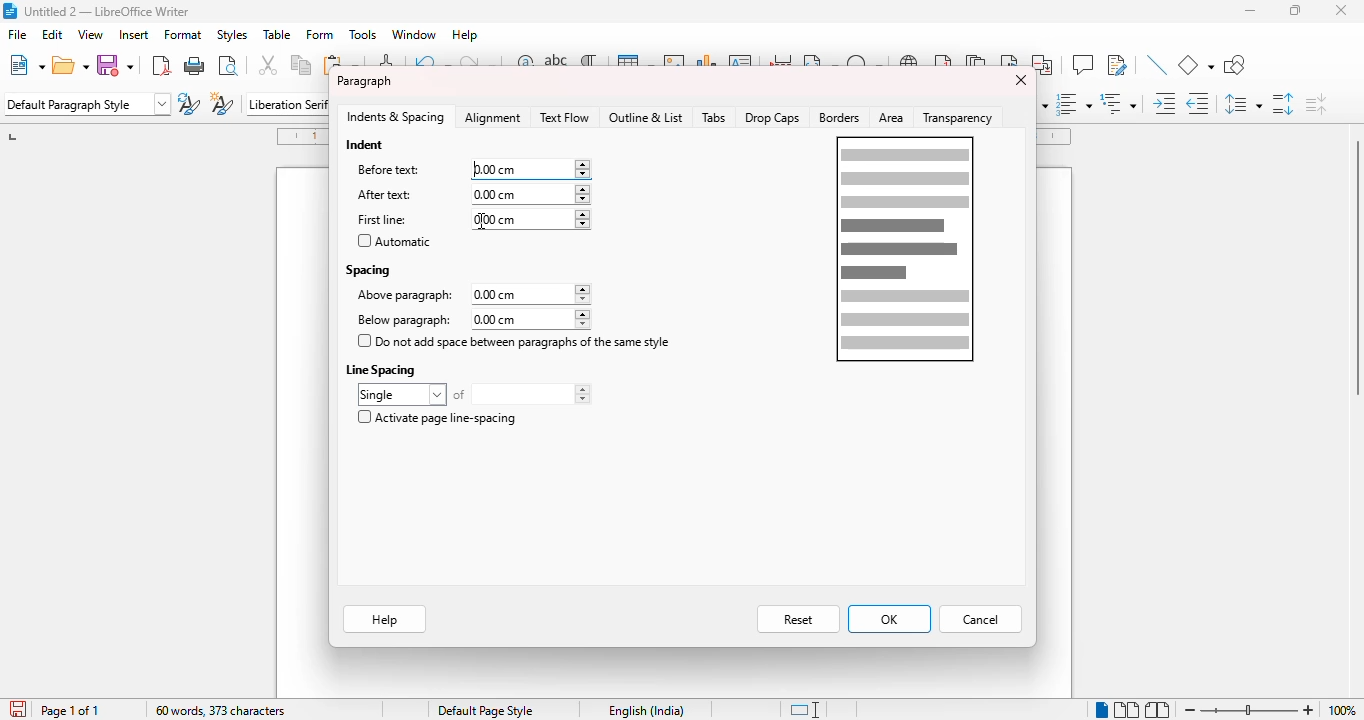 The height and width of the screenshot is (720, 1364). What do you see at coordinates (223, 103) in the screenshot?
I see `new style from selection` at bounding box center [223, 103].